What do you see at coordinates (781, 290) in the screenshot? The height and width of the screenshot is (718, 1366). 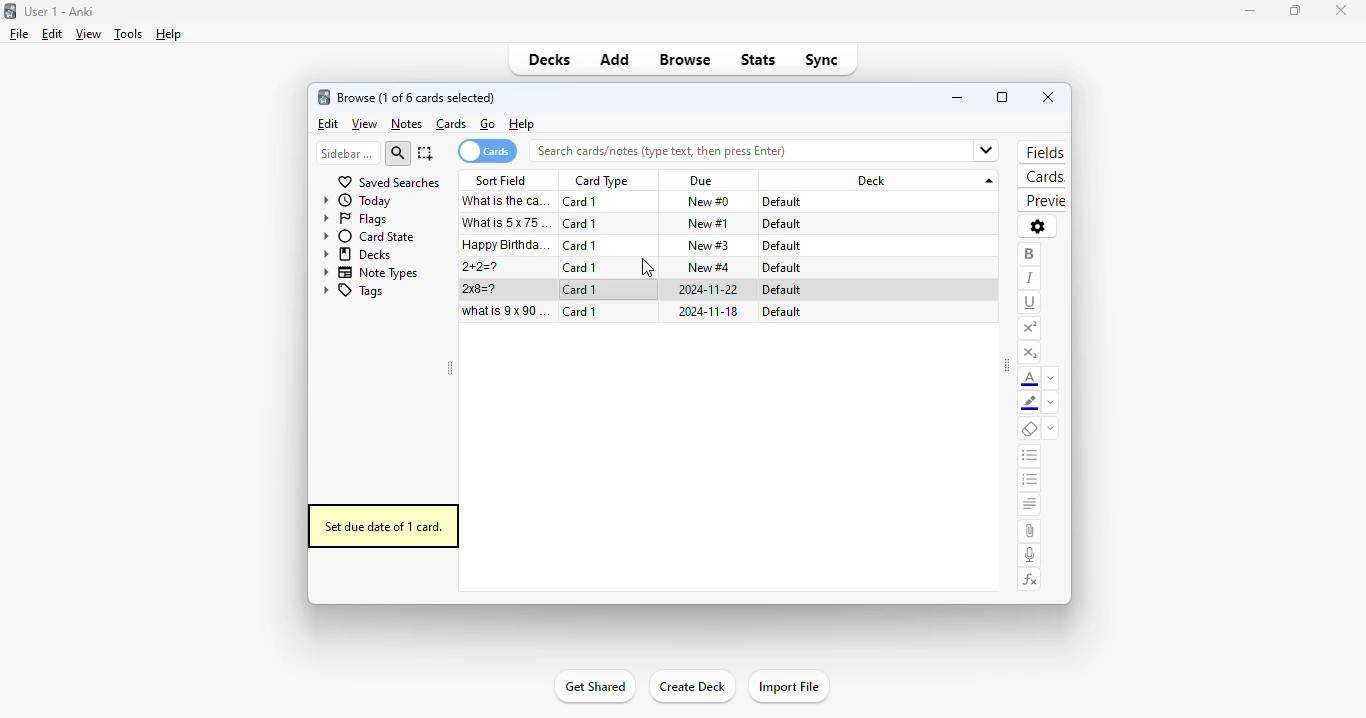 I see `default` at bounding box center [781, 290].